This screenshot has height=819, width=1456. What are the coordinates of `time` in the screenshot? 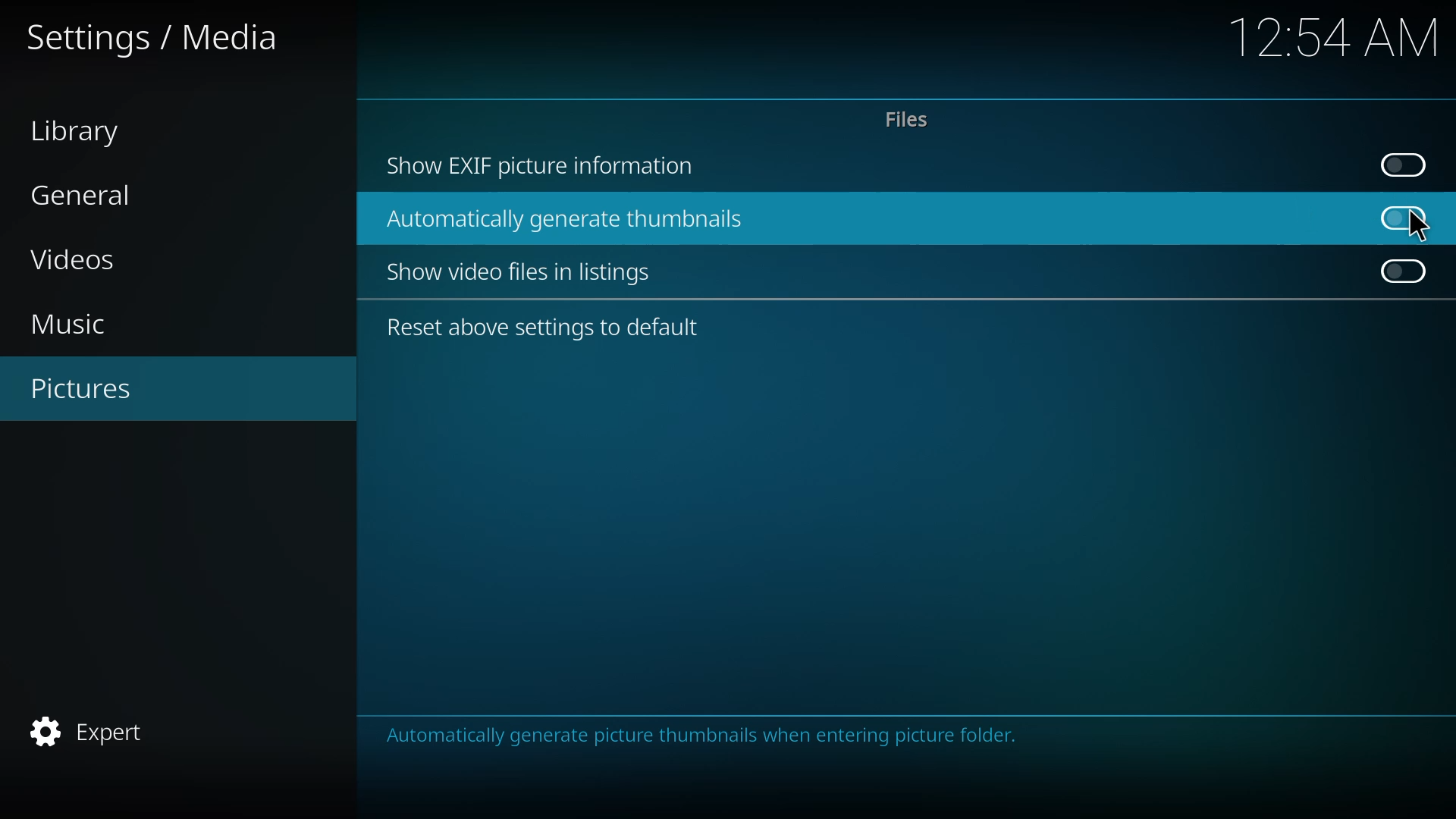 It's located at (1338, 37).